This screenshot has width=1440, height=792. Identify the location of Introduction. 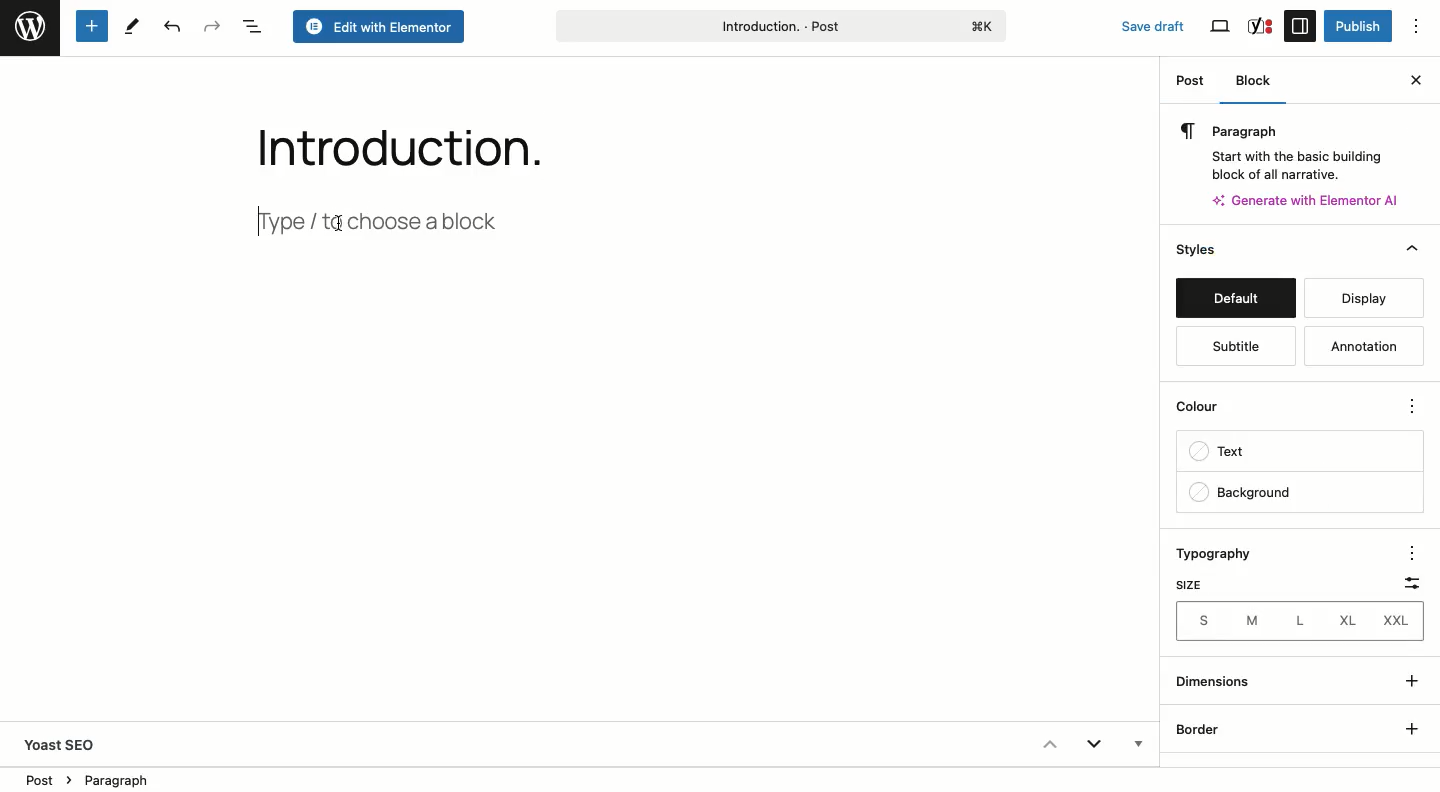
(385, 143).